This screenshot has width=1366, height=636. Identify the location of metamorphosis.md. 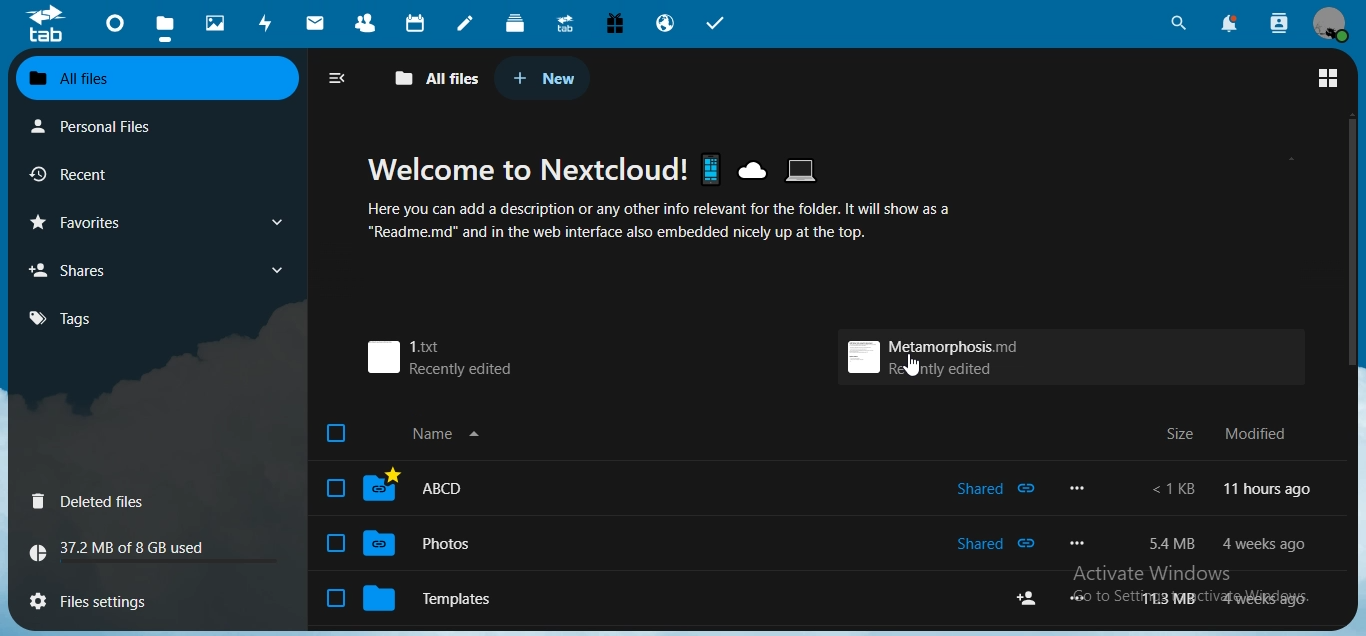
(940, 355).